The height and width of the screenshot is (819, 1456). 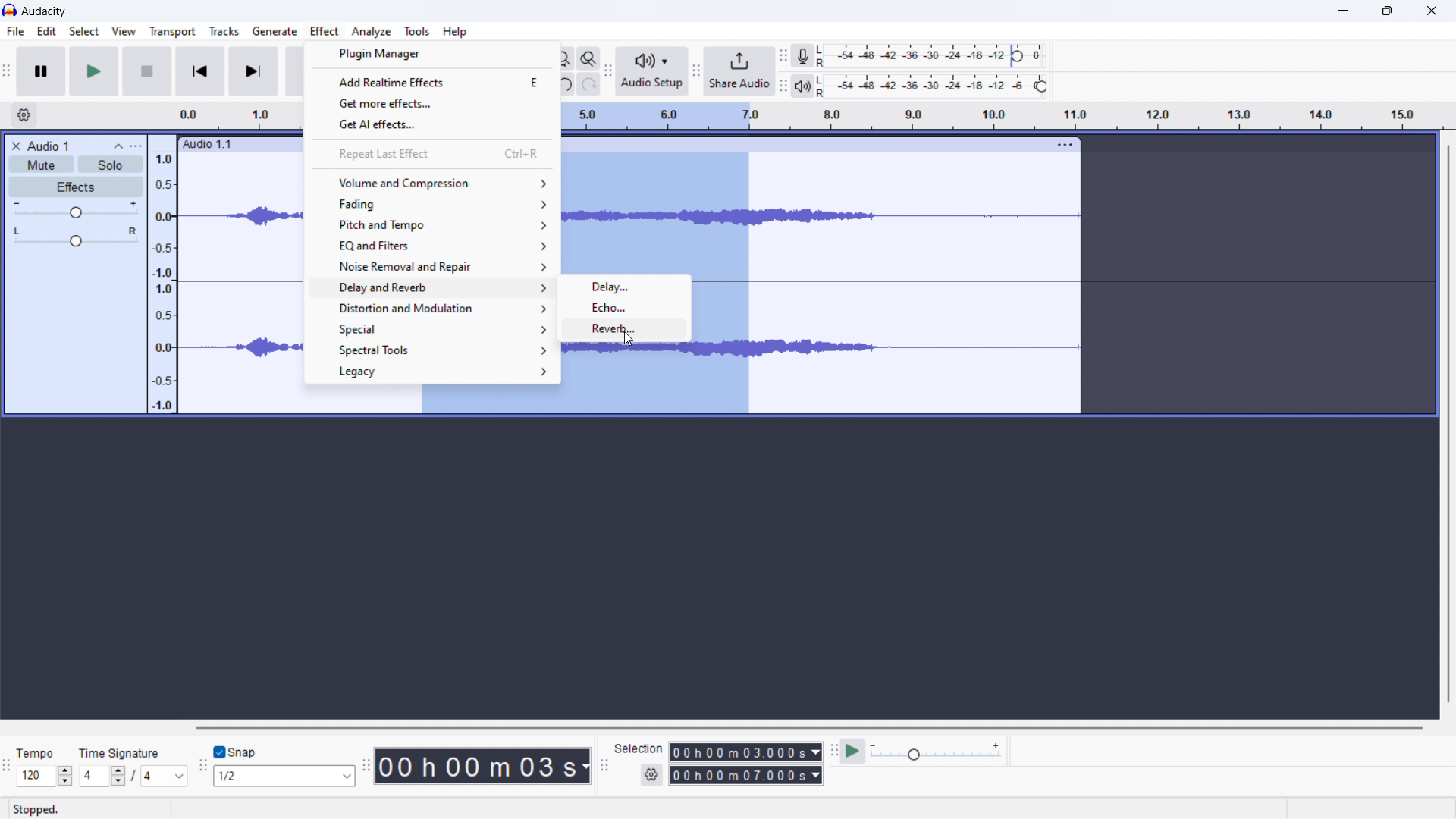 What do you see at coordinates (1387, 11) in the screenshot?
I see `maximize` at bounding box center [1387, 11].